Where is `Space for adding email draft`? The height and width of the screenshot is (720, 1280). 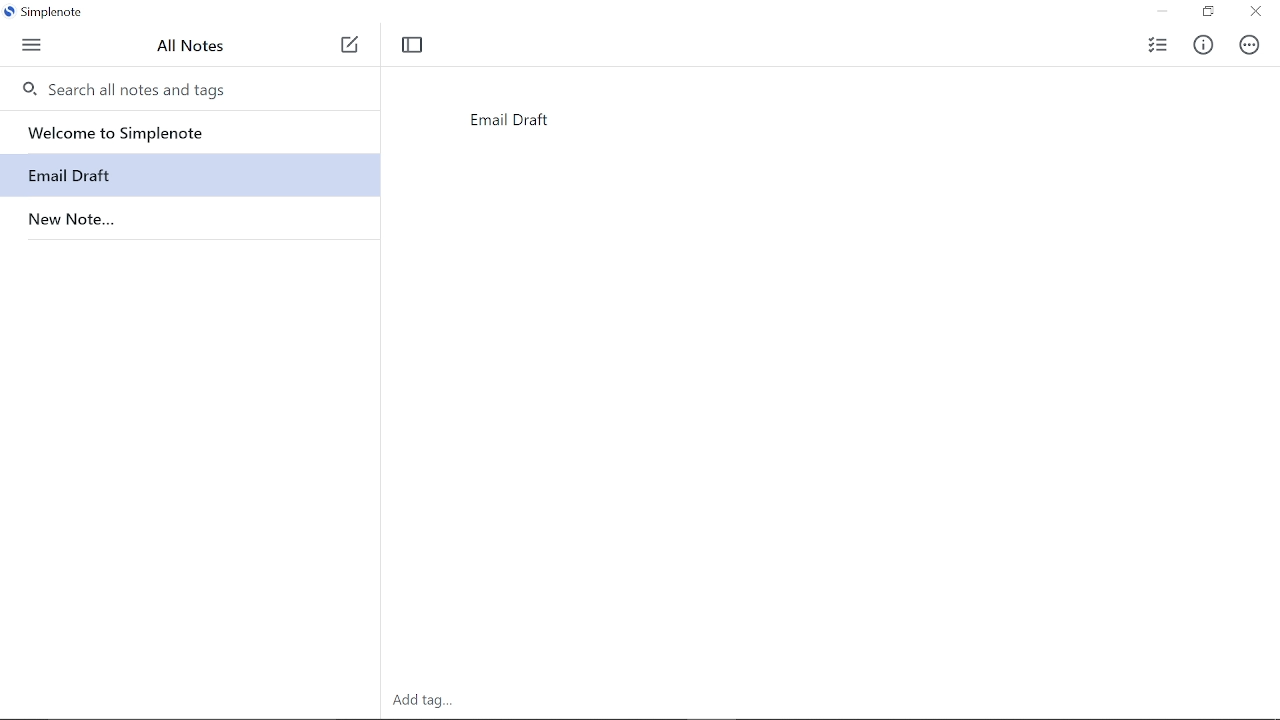 Space for adding email draft is located at coordinates (792, 401).